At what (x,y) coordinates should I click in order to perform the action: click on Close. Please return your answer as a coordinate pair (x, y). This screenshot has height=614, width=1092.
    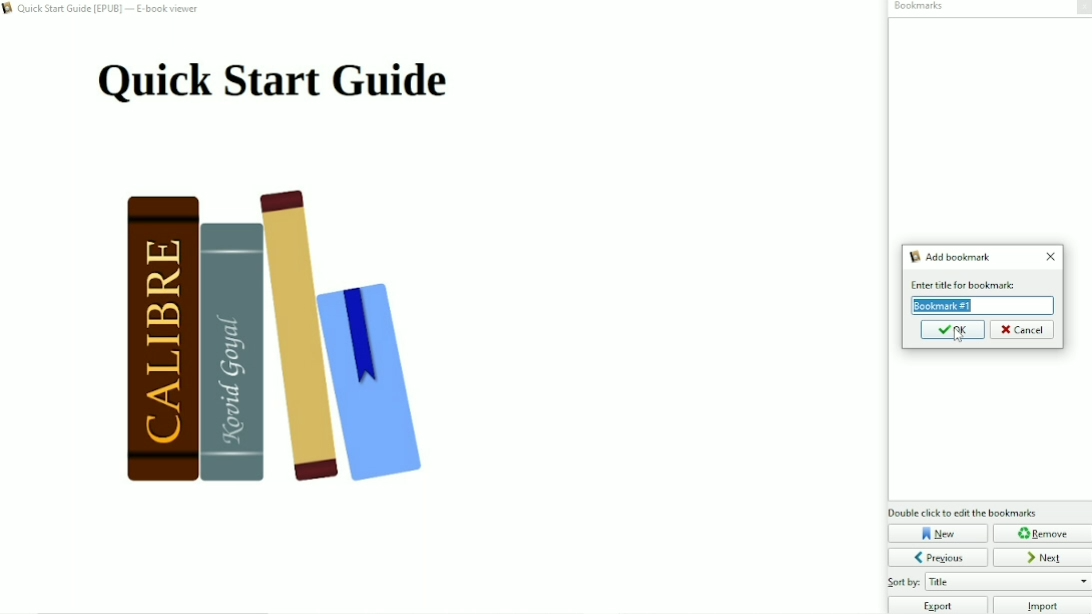
    Looking at the image, I should click on (1081, 8).